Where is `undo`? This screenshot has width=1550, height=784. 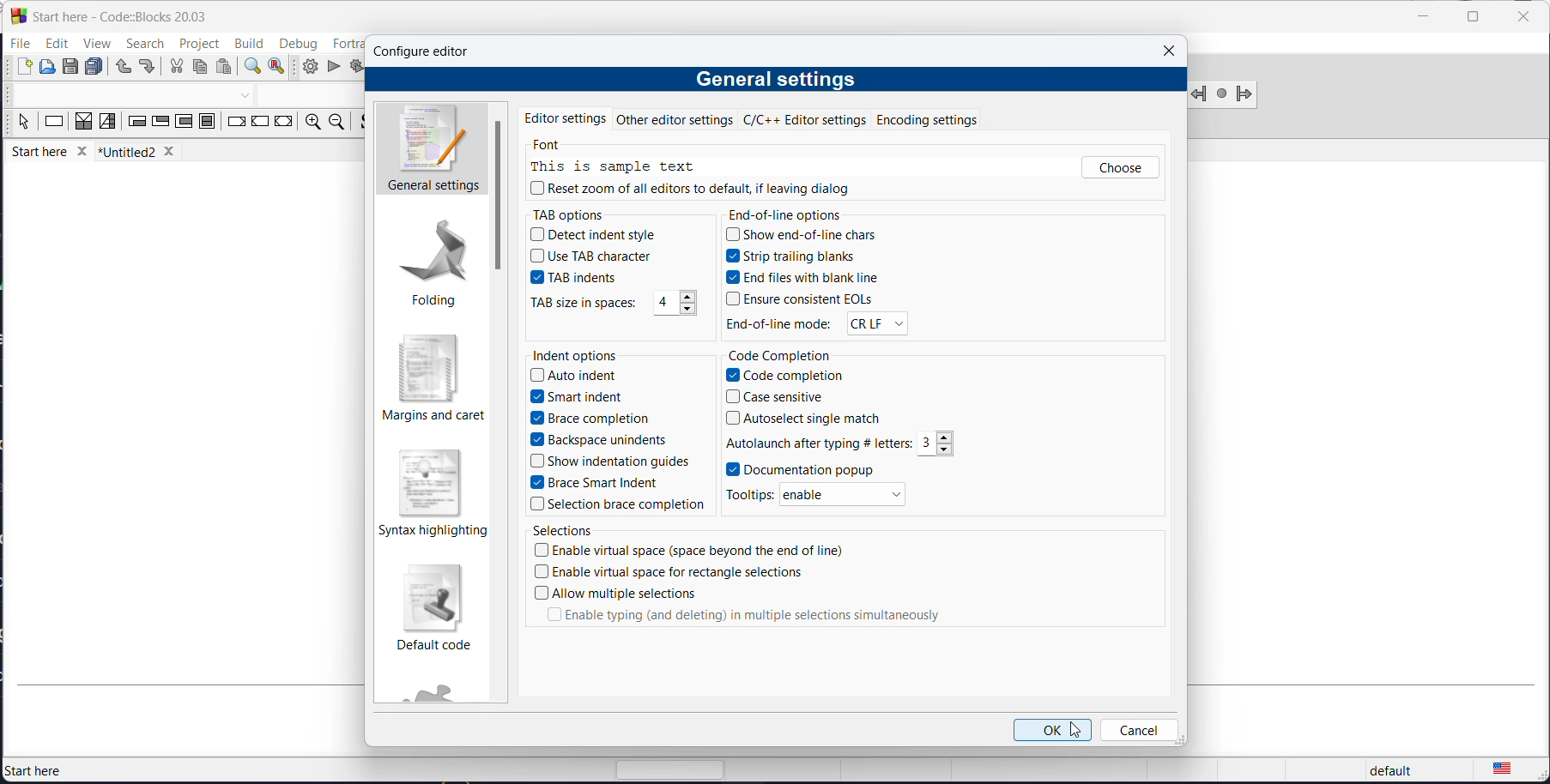
undo is located at coordinates (119, 69).